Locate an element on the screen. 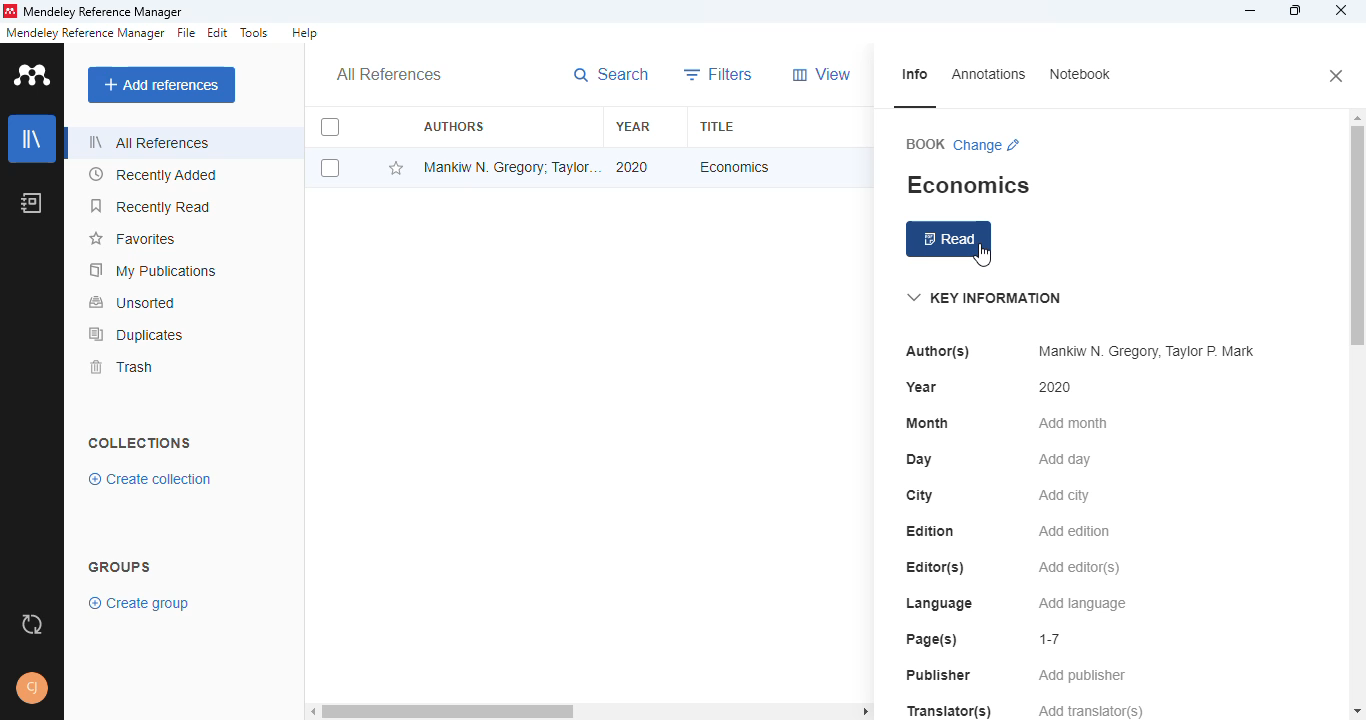 The image size is (1366, 720). profile is located at coordinates (33, 688).